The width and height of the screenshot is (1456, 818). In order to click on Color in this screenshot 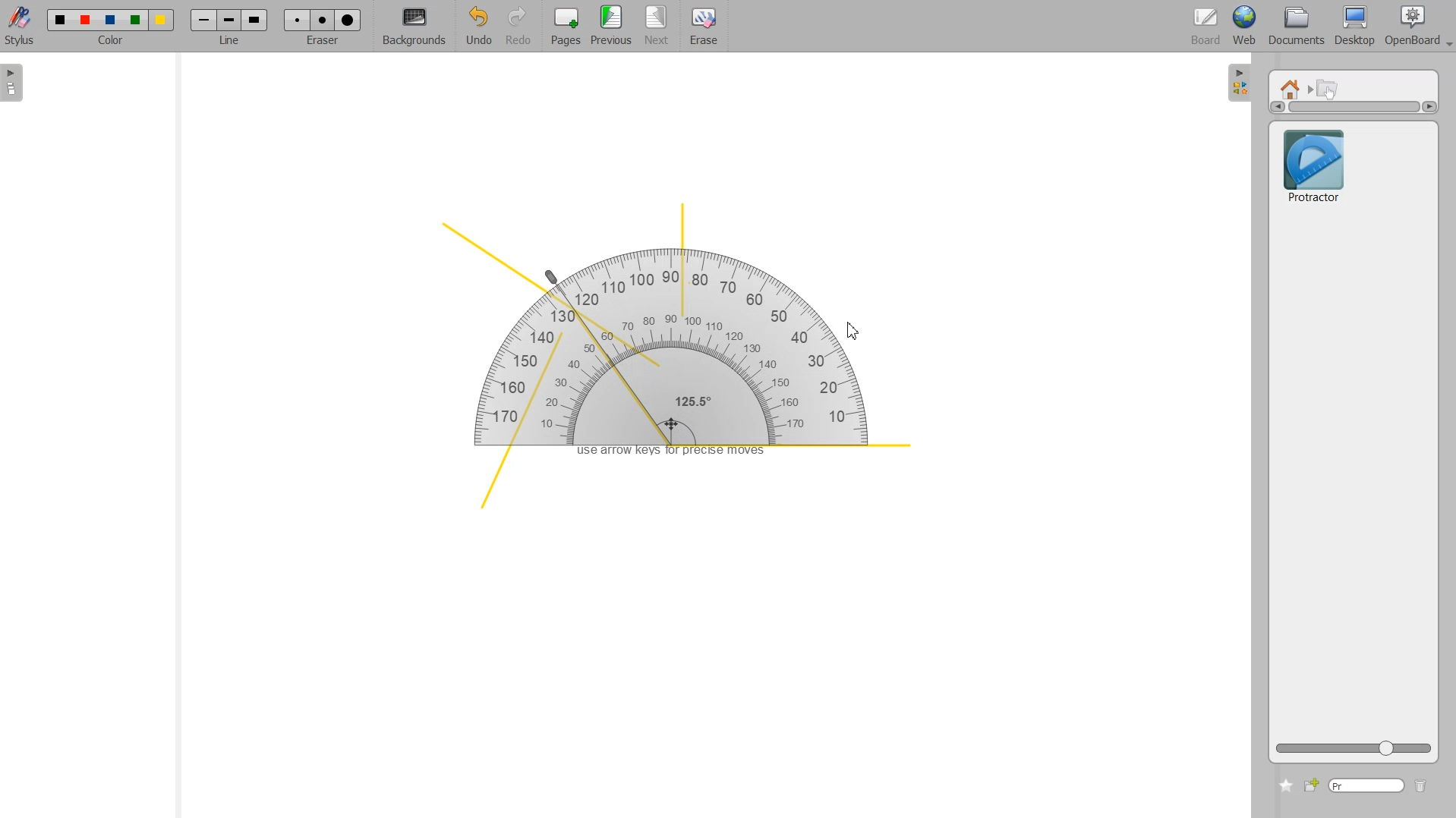, I will do `click(111, 20)`.